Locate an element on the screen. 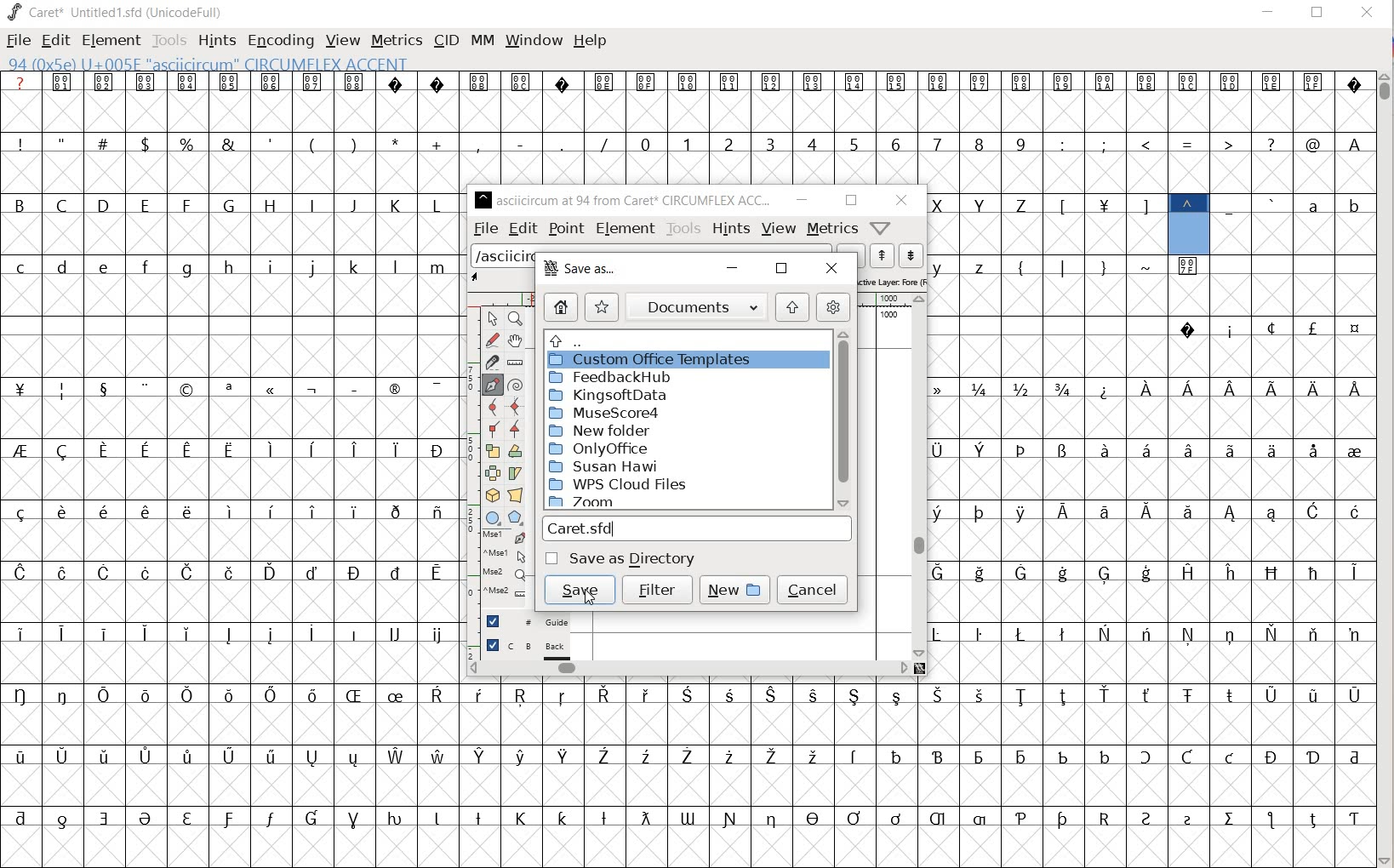  ZOOM is located at coordinates (588, 504).